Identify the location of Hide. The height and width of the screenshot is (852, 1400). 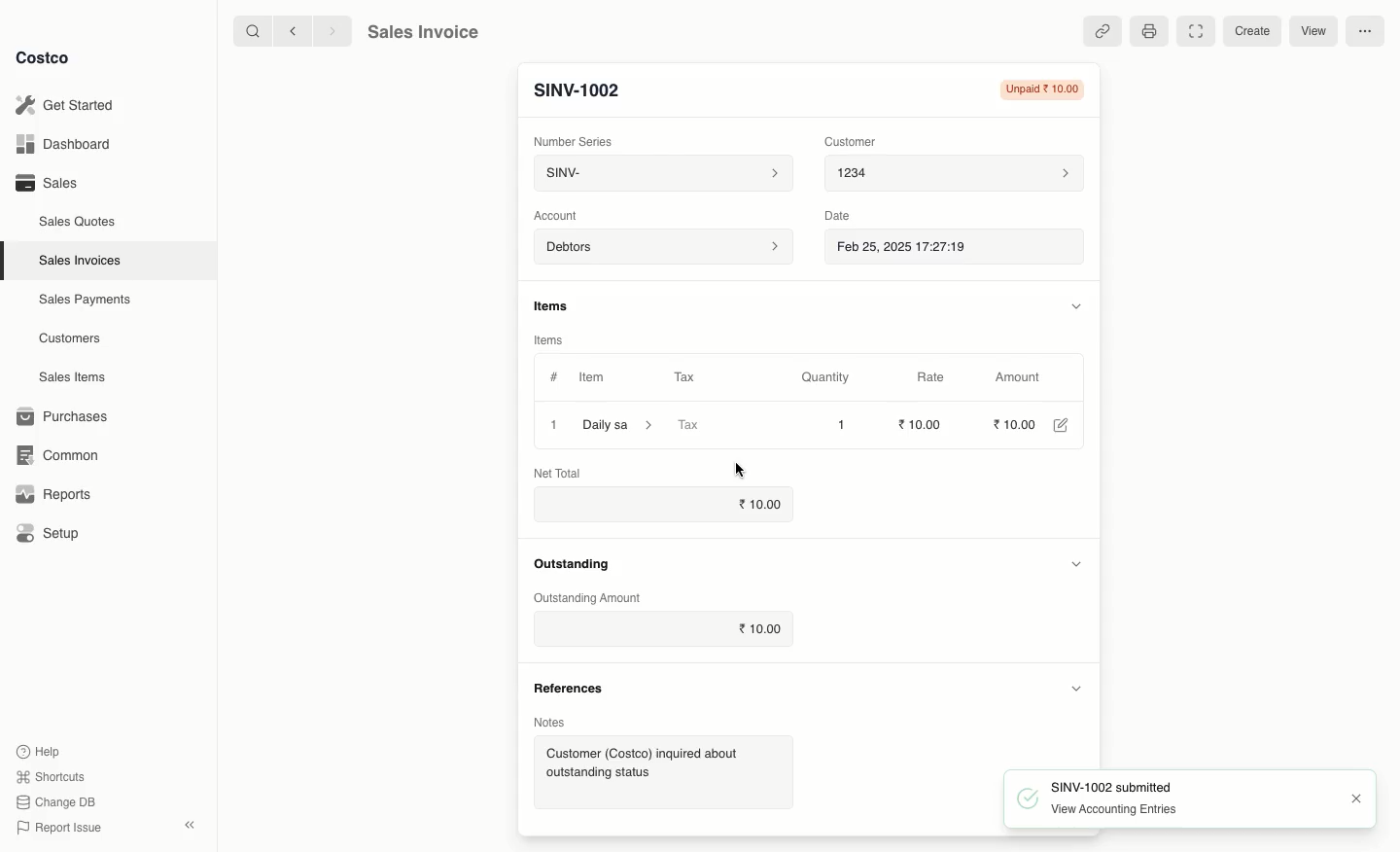
(1077, 688).